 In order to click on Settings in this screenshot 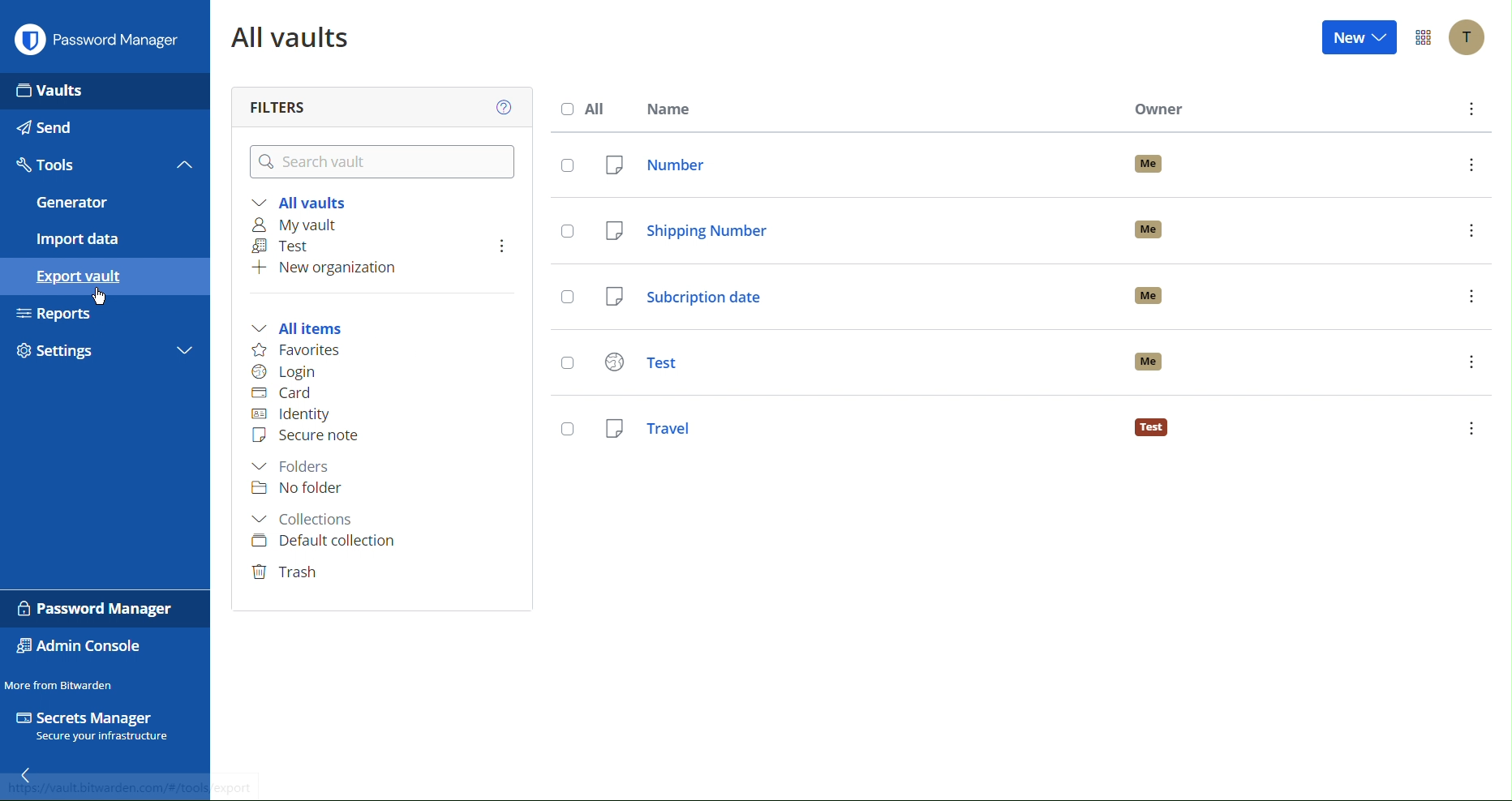, I will do `click(76, 348)`.